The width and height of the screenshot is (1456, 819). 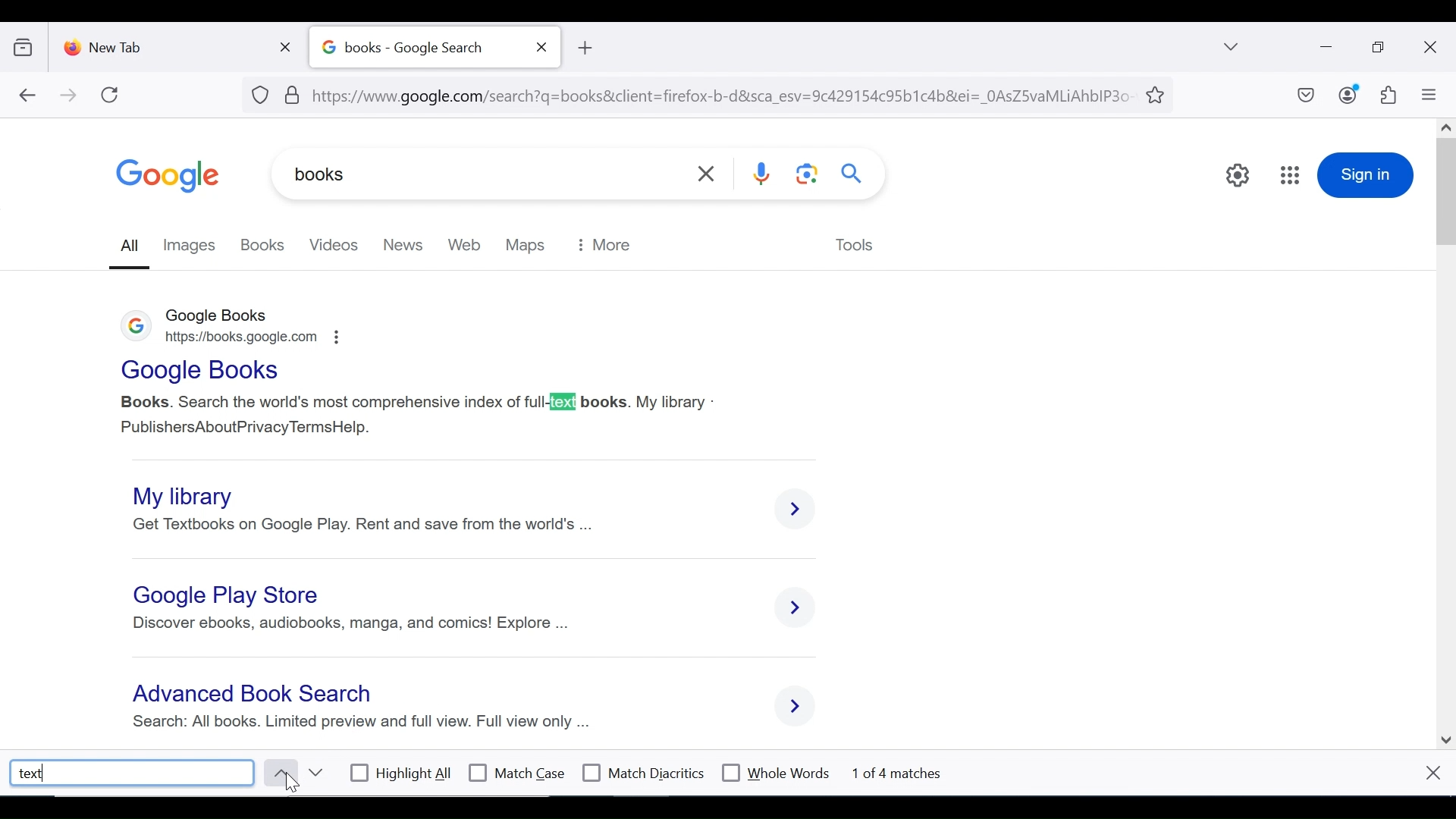 I want to click on all, so click(x=131, y=246).